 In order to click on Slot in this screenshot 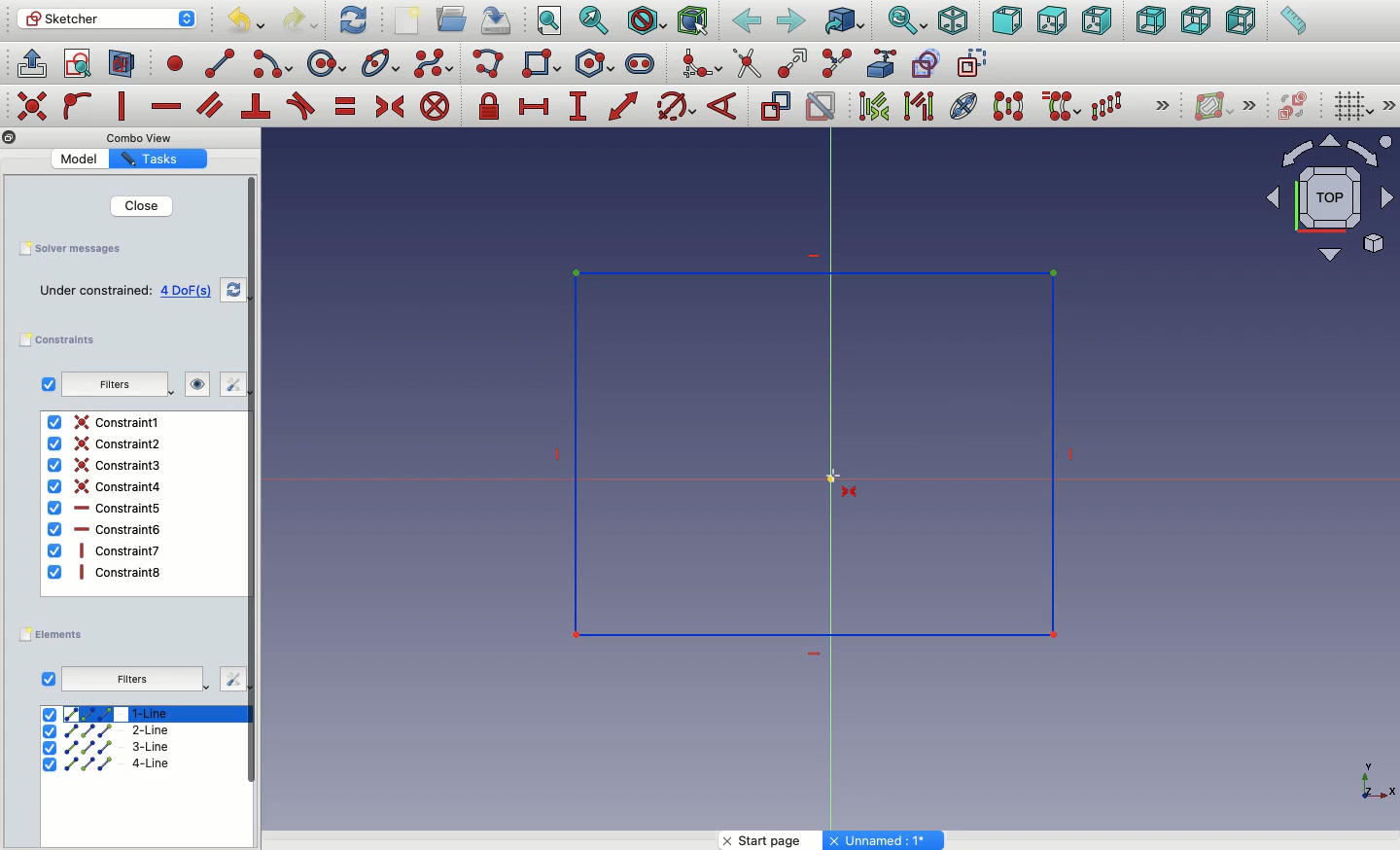, I will do `click(642, 63)`.